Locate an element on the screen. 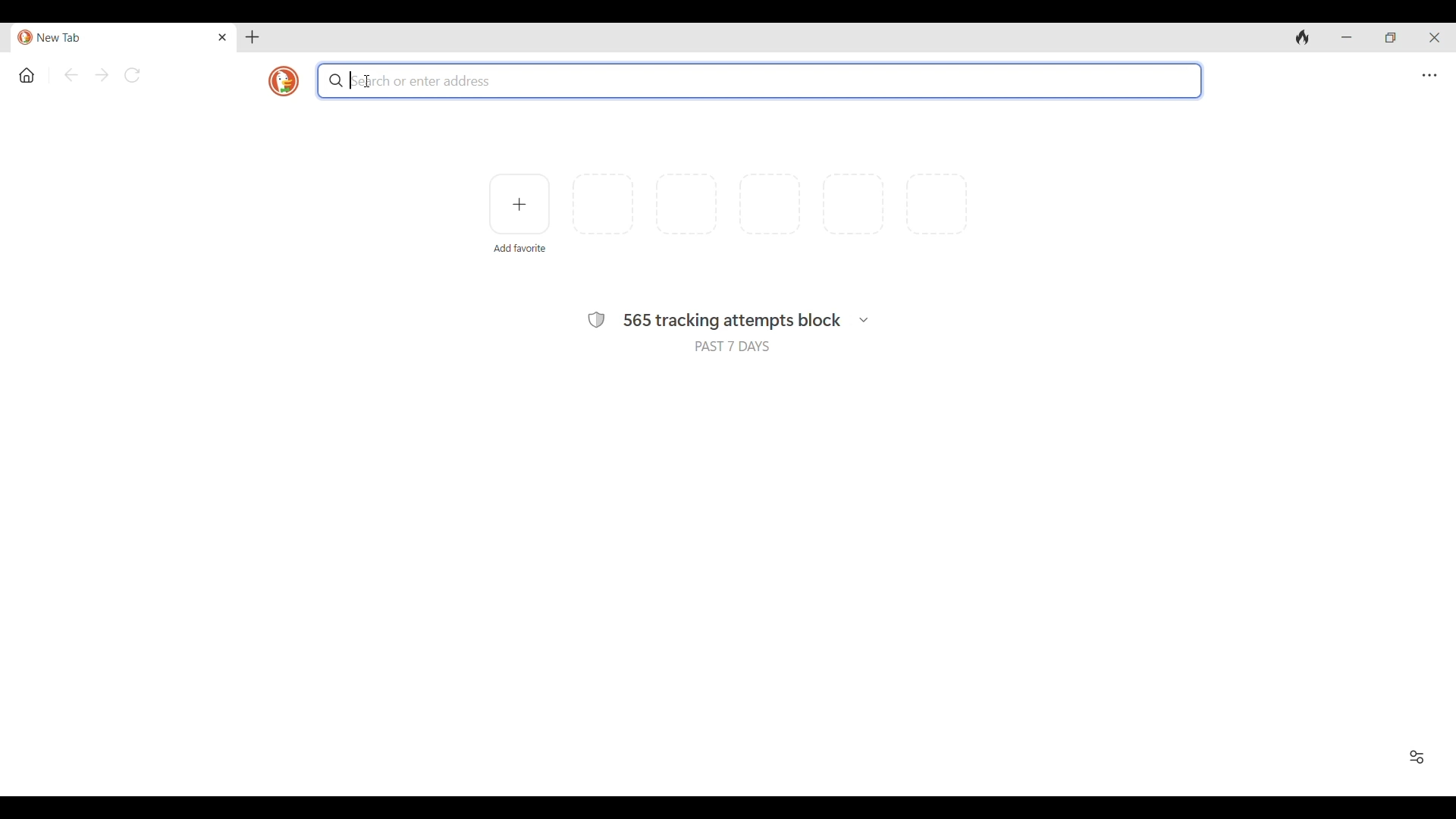 The height and width of the screenshot is (819, 1456). Browser logo is located at coordinates (283, 82).